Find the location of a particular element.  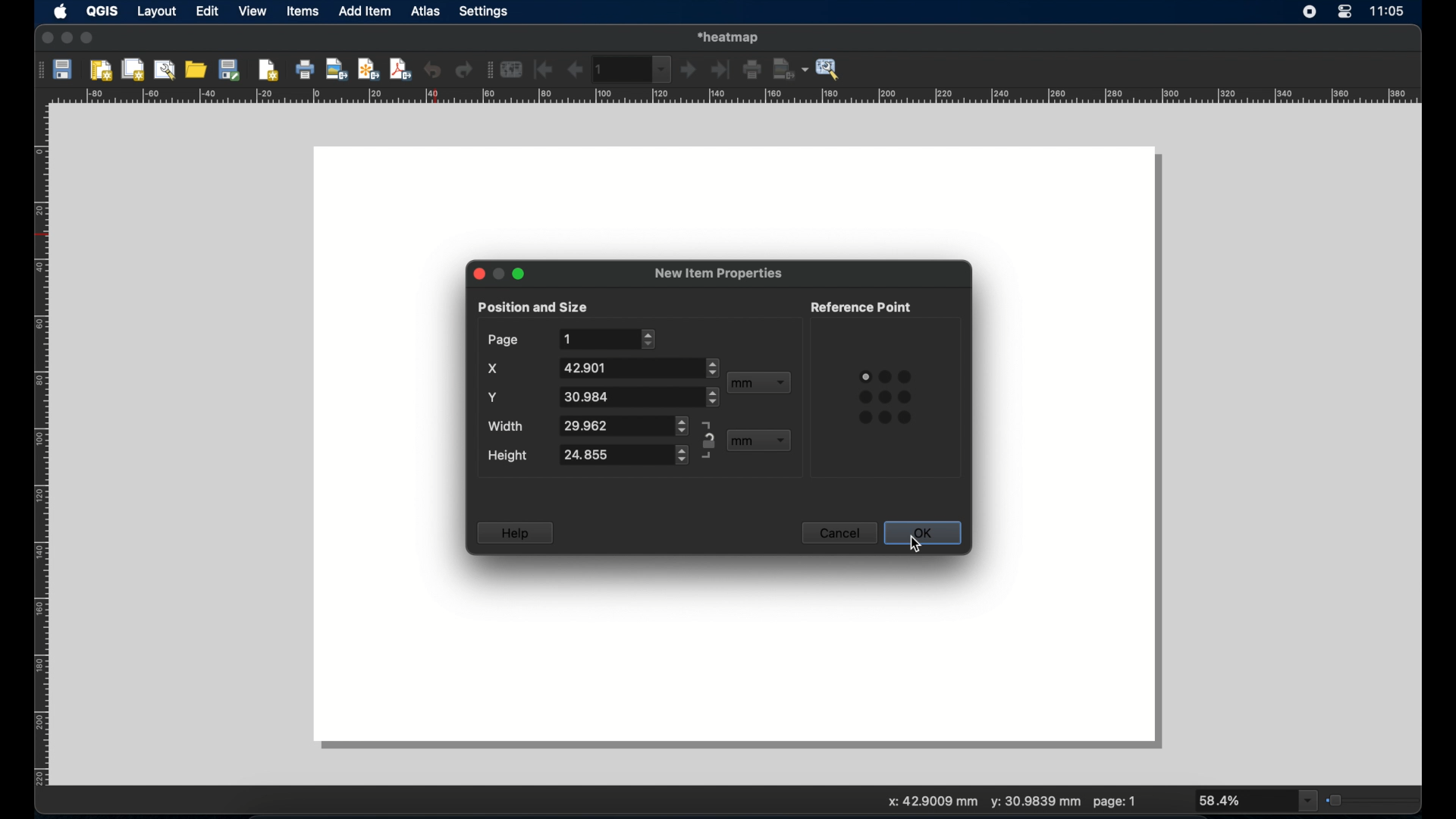

maximize is located at coordinates (88, 39).